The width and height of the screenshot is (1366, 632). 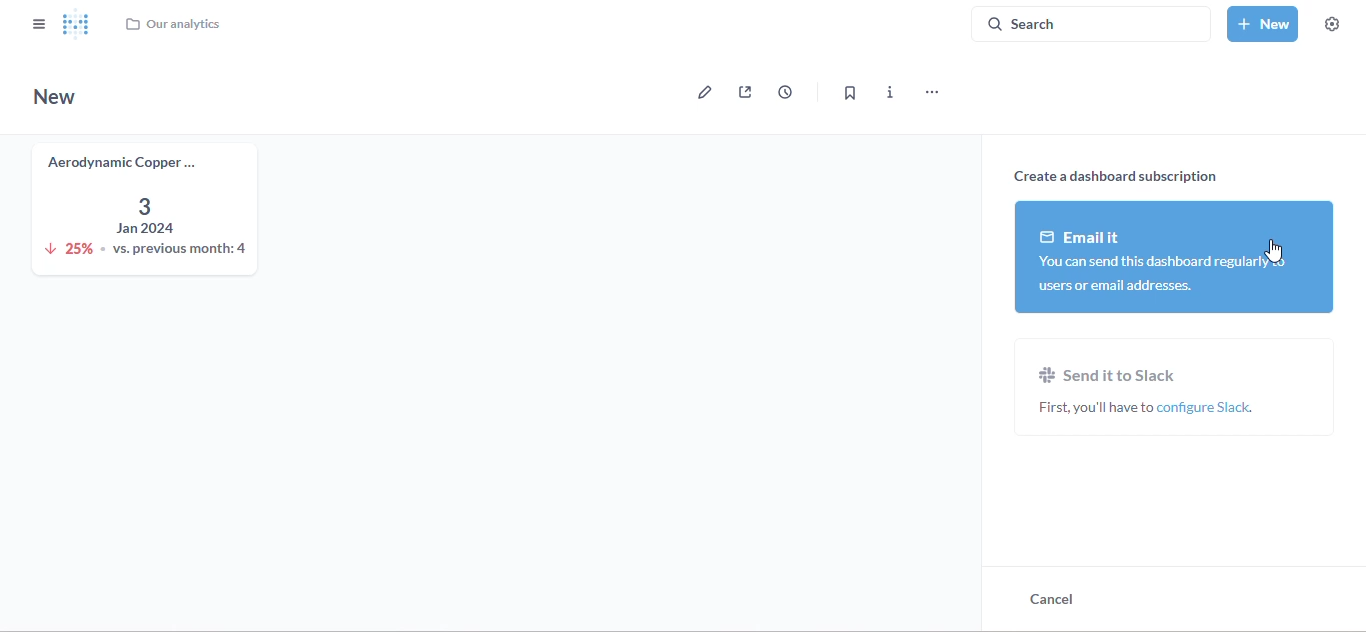 I want to click on email it, so click(x=1175, y=256).